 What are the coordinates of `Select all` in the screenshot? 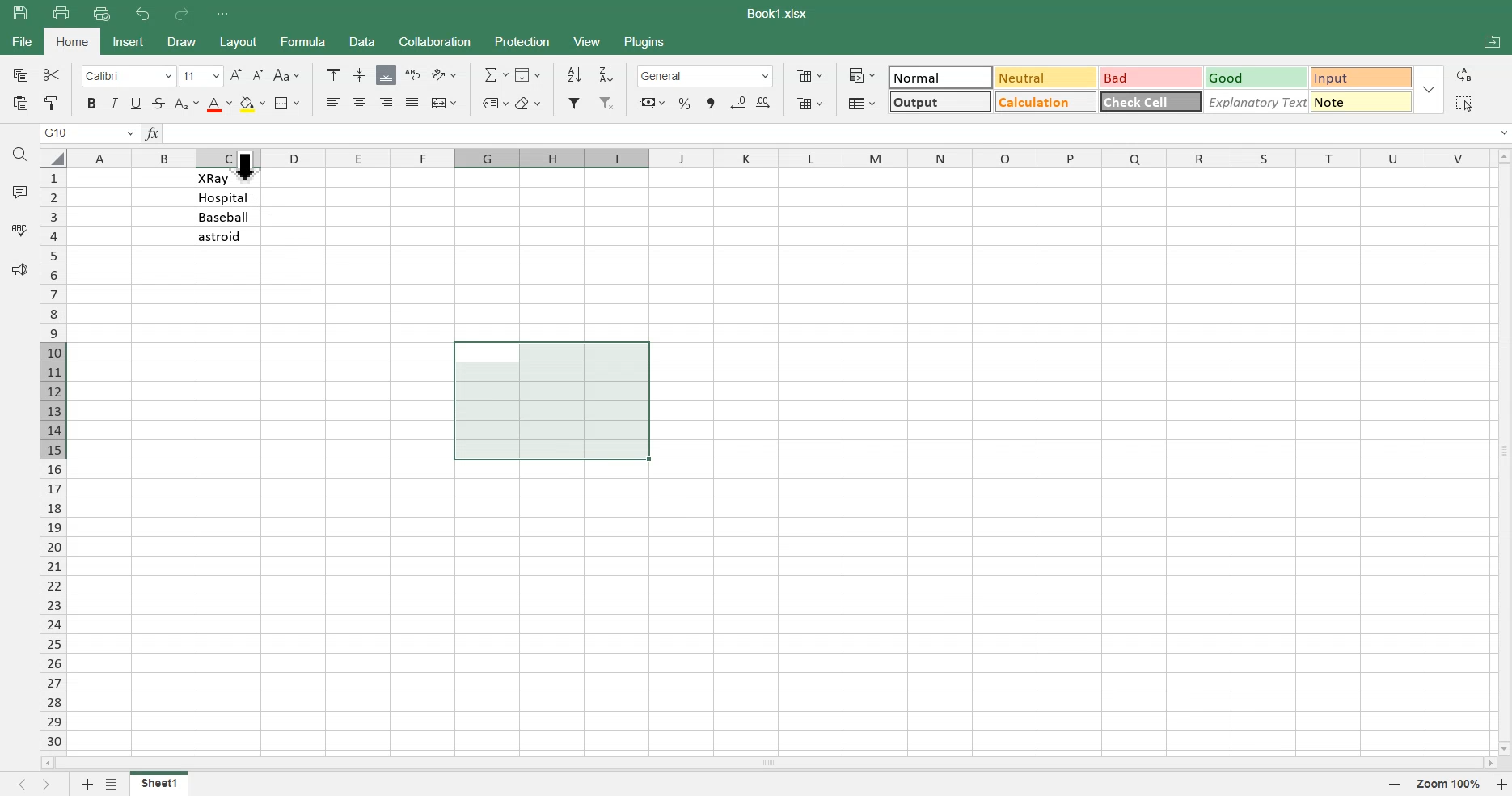 It's located at (1463, 103).